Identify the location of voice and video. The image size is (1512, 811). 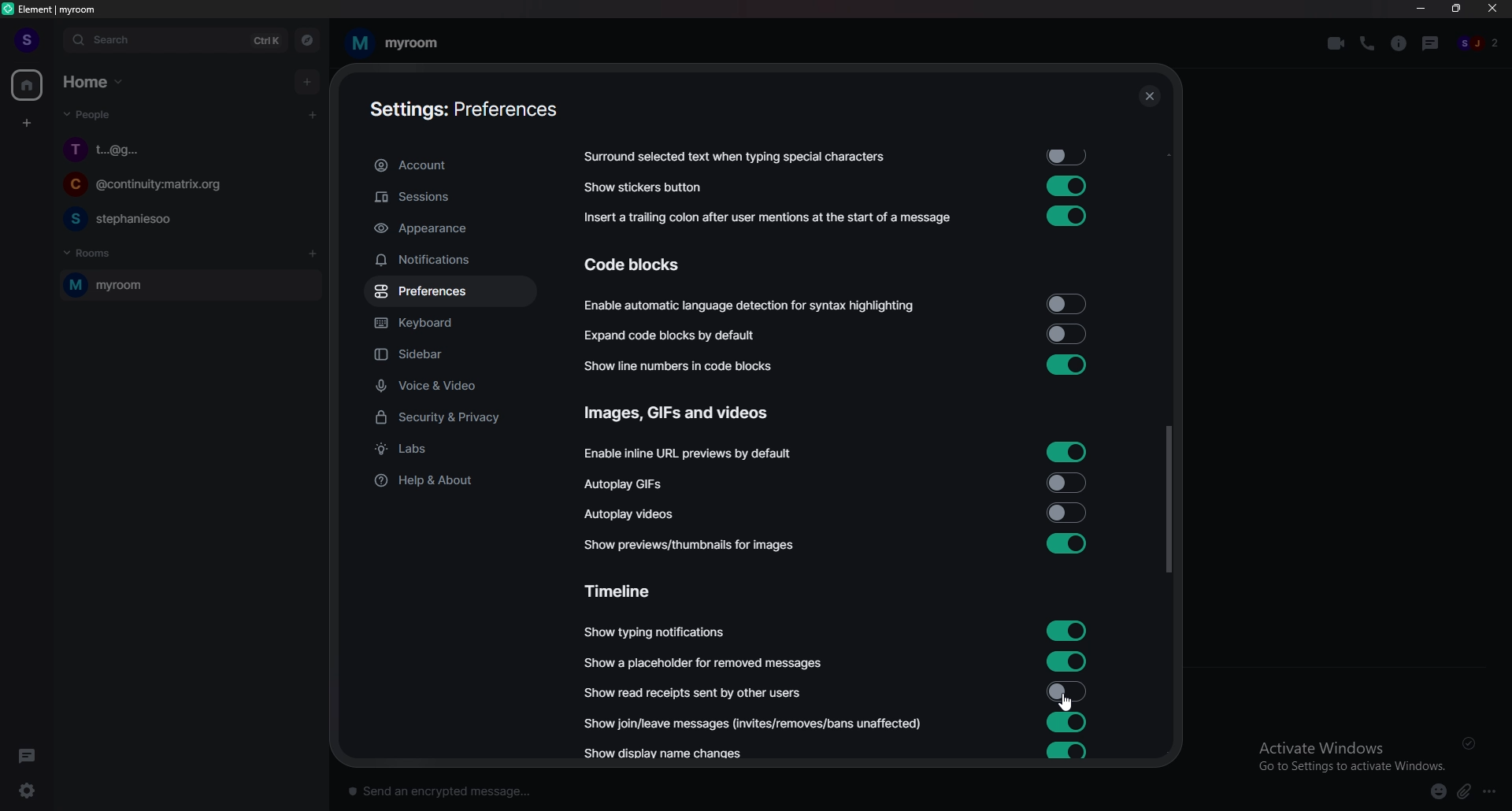
(454, 385).